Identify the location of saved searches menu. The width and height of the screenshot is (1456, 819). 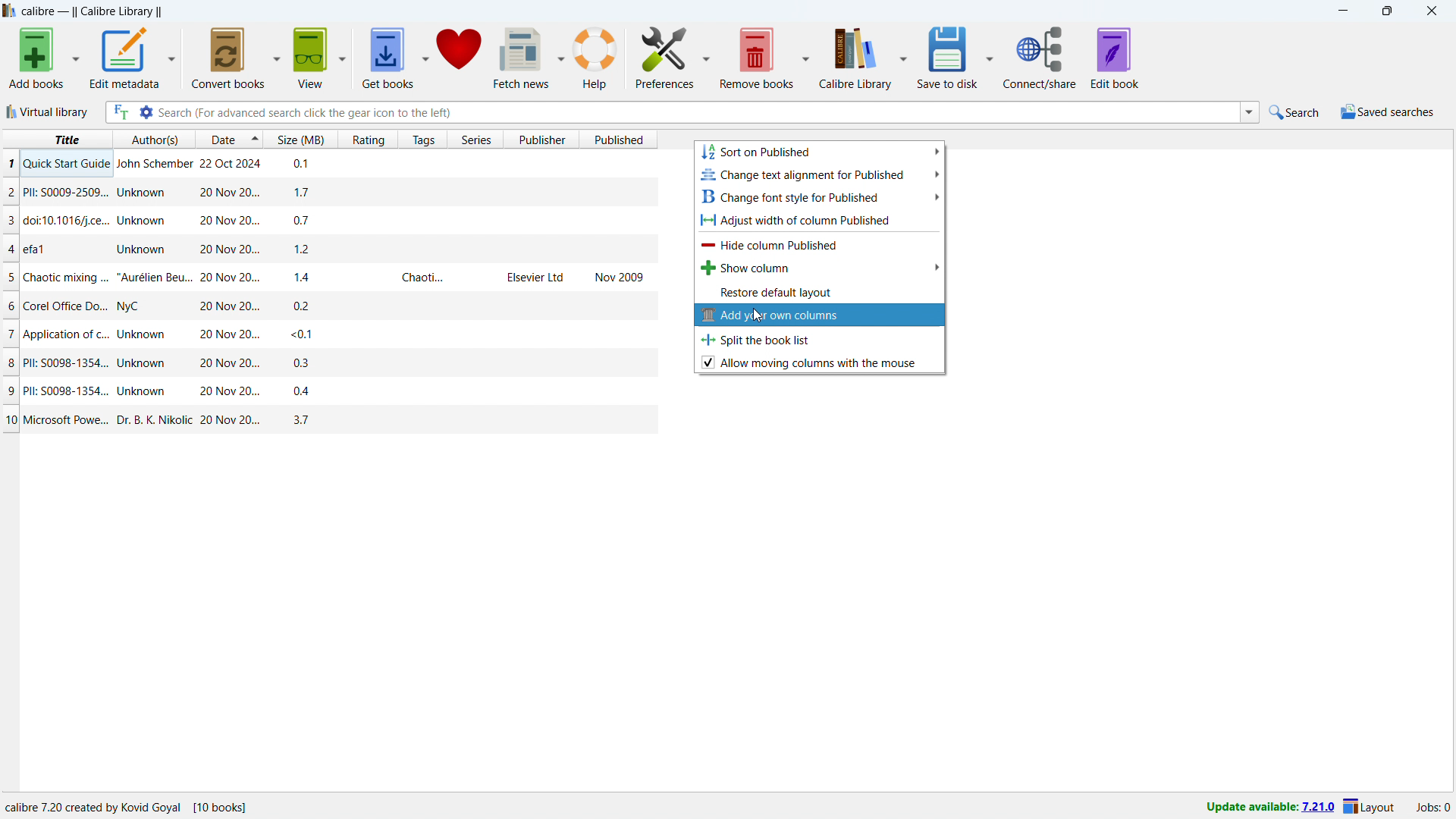
(1388, 111).